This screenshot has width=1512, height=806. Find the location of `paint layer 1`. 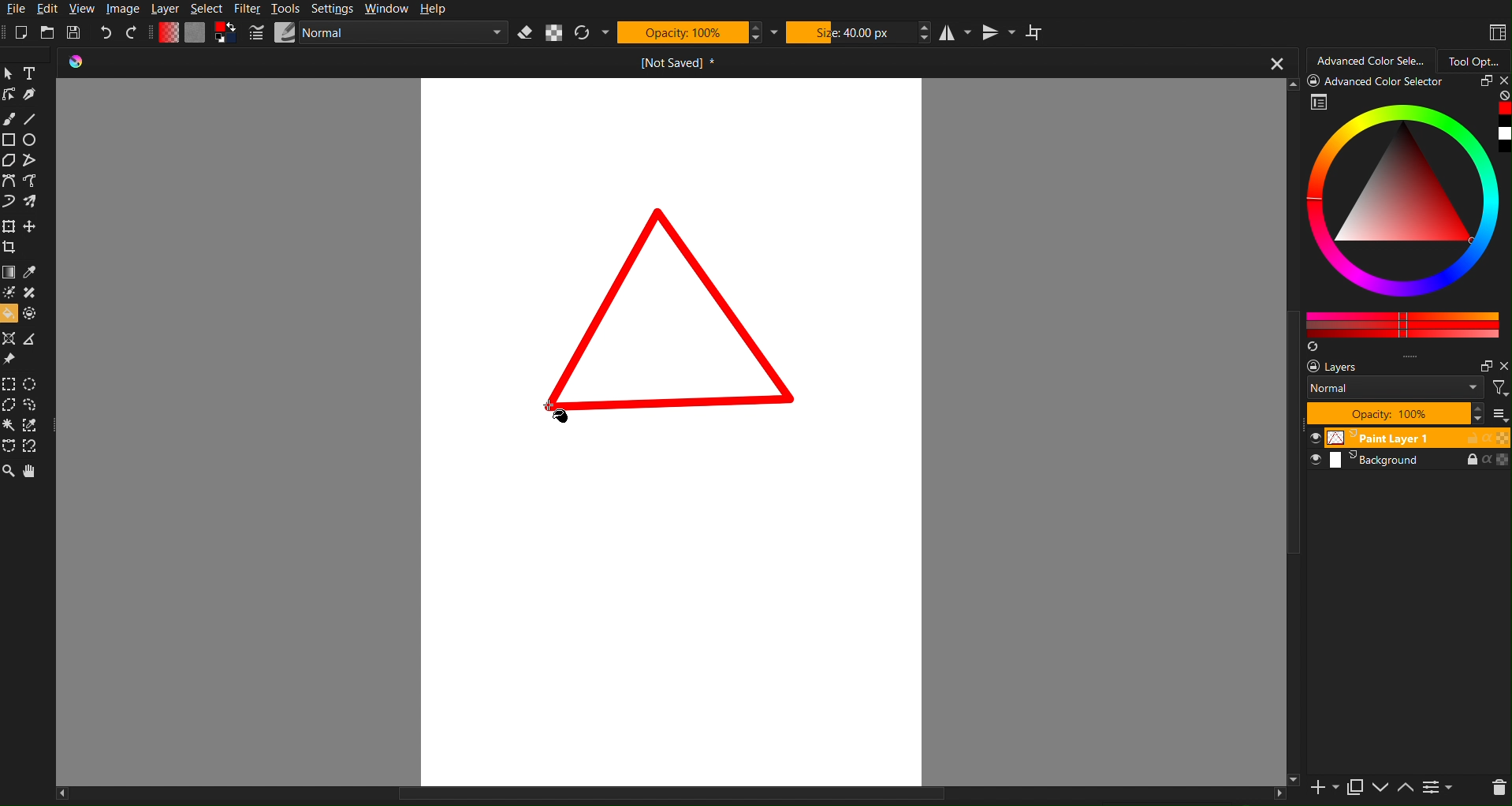

paint layer 1 is located at coordinates (1410, 438).